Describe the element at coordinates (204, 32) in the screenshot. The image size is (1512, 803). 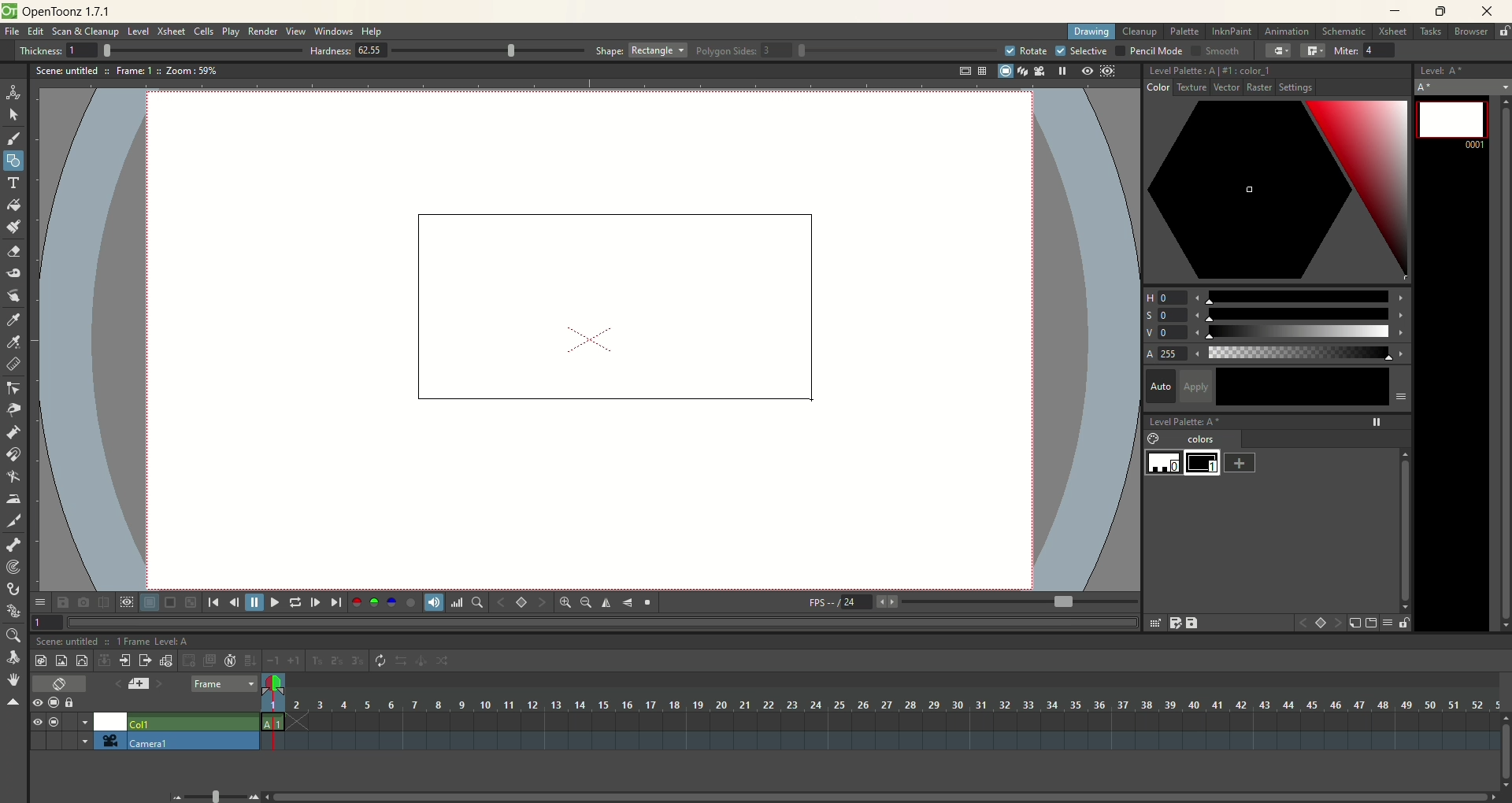
I see `cells` at that location.